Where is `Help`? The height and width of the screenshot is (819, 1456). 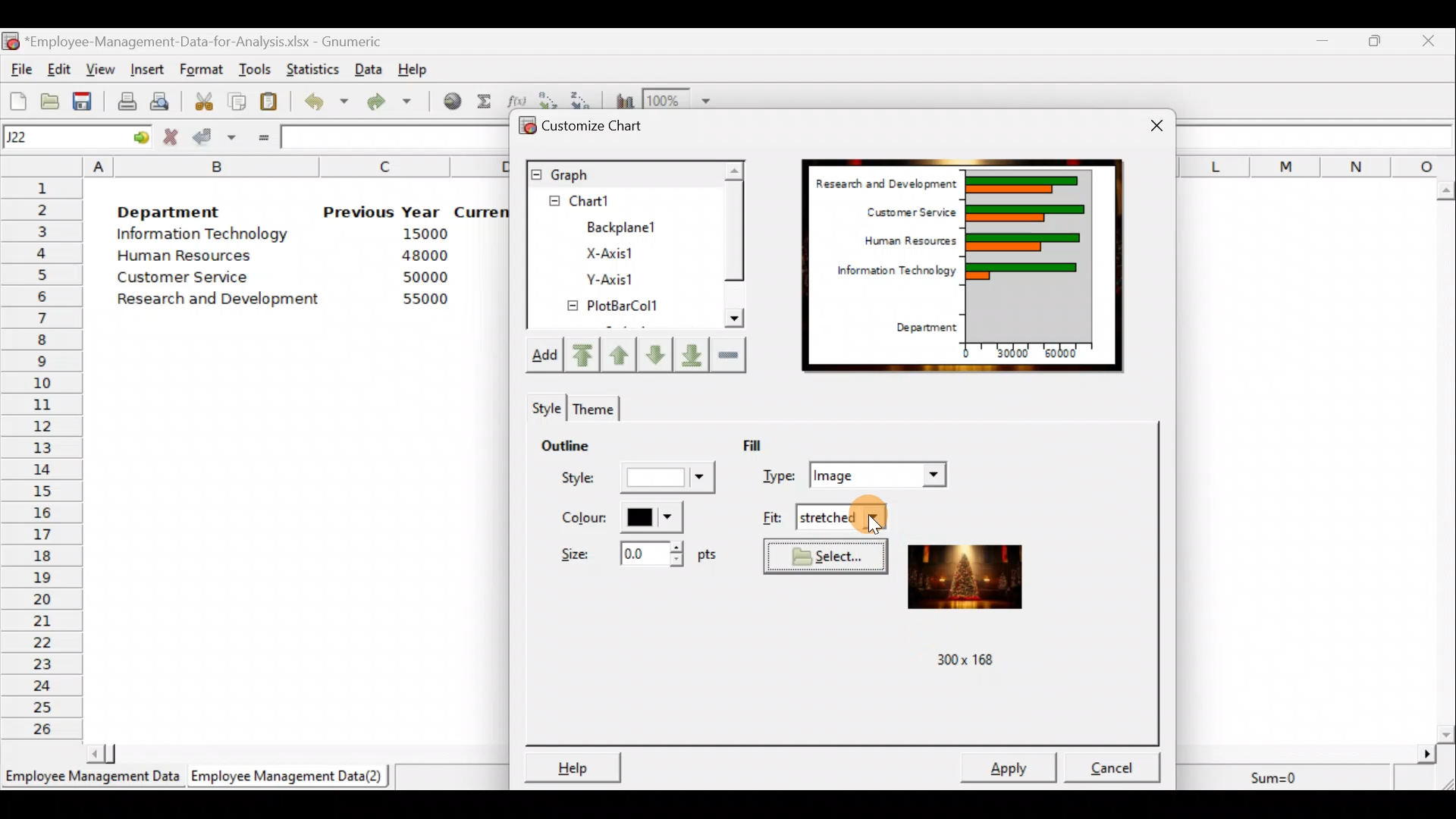 Help is located at coordinates (573, 764).